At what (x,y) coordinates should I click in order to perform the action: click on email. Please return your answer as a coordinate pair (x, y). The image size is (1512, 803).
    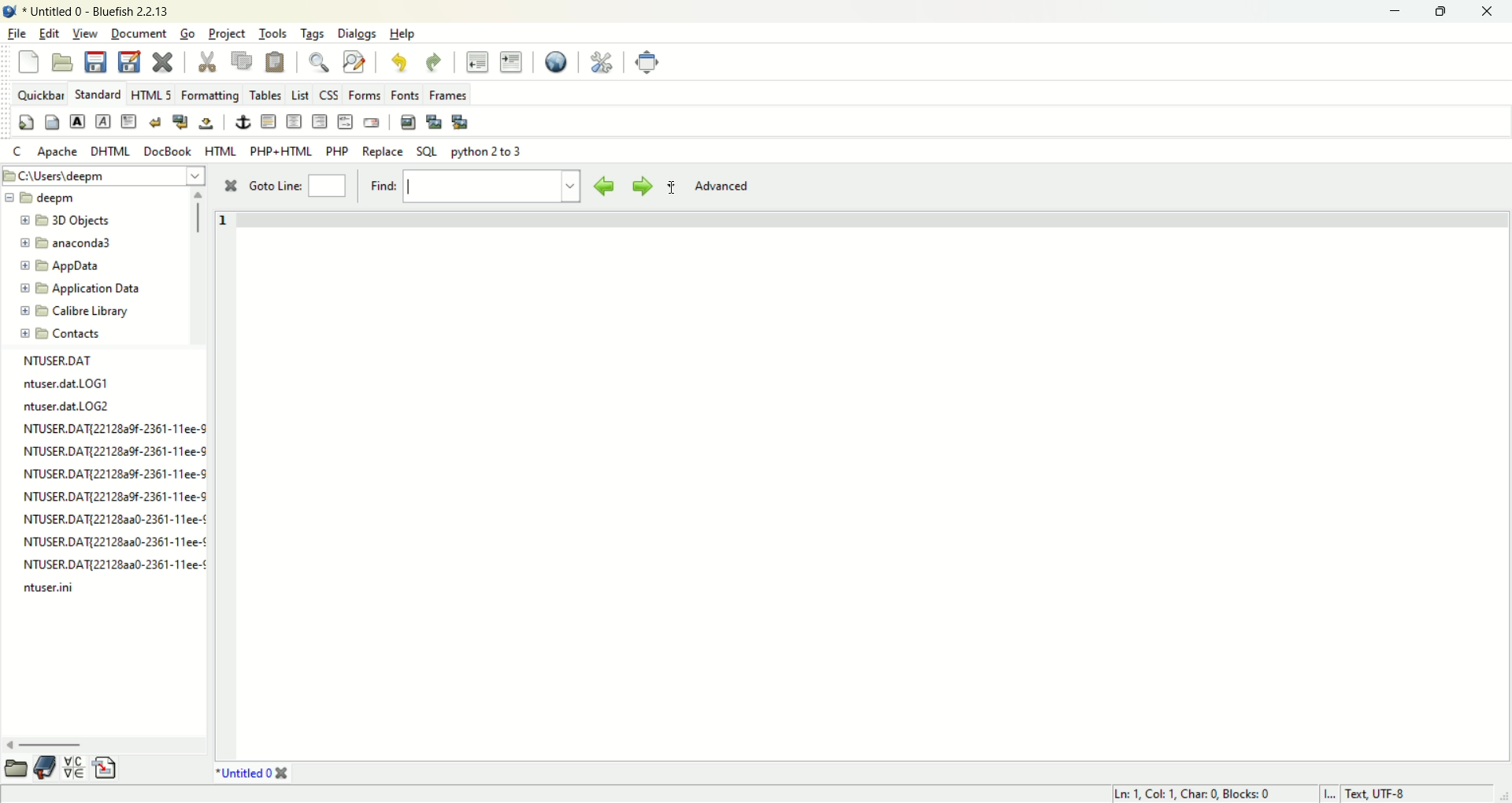
    Looking at the image, I should click on (371, 124).